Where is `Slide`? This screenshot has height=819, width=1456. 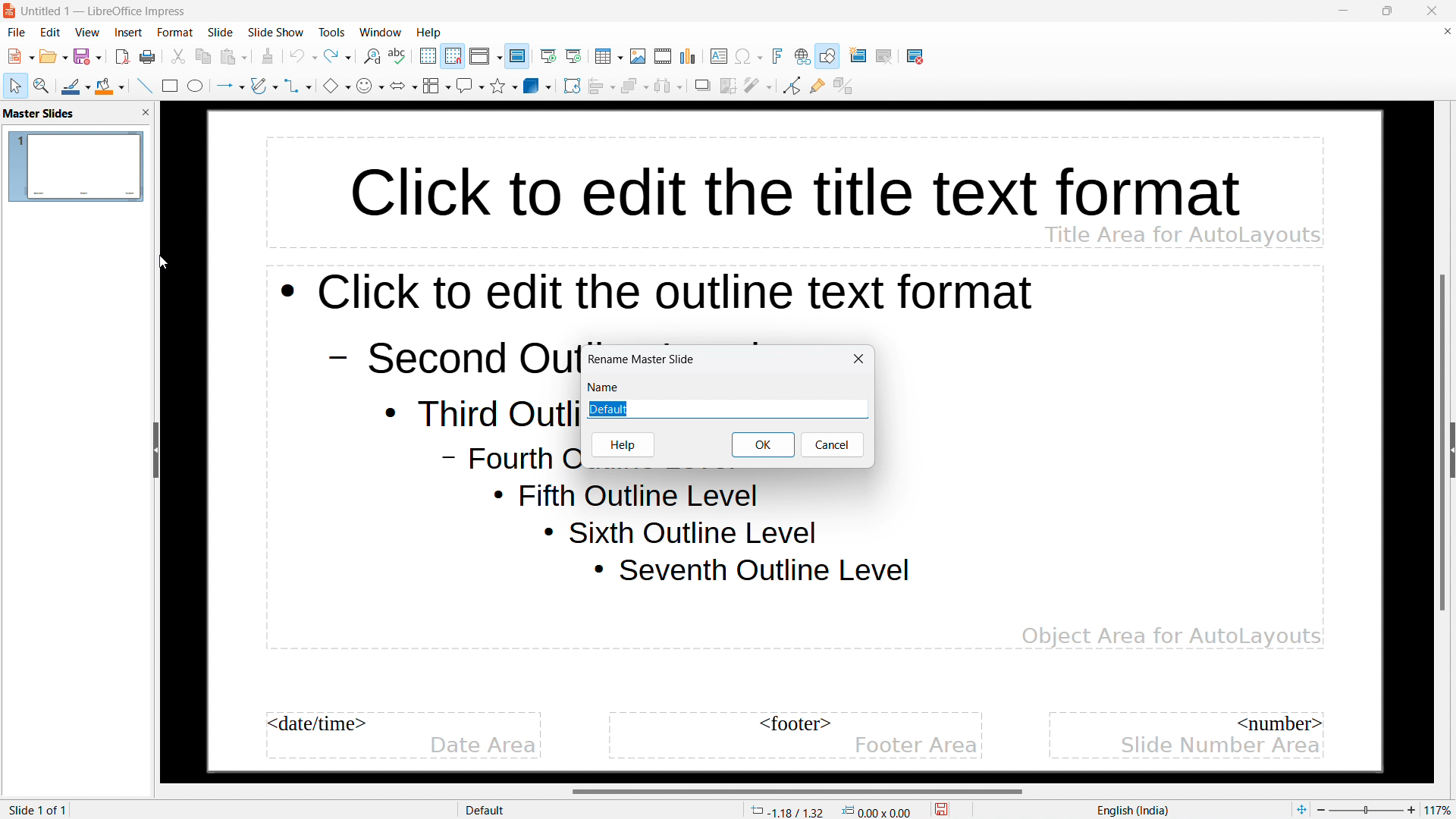
Slide is located at coordinates (221, 33).